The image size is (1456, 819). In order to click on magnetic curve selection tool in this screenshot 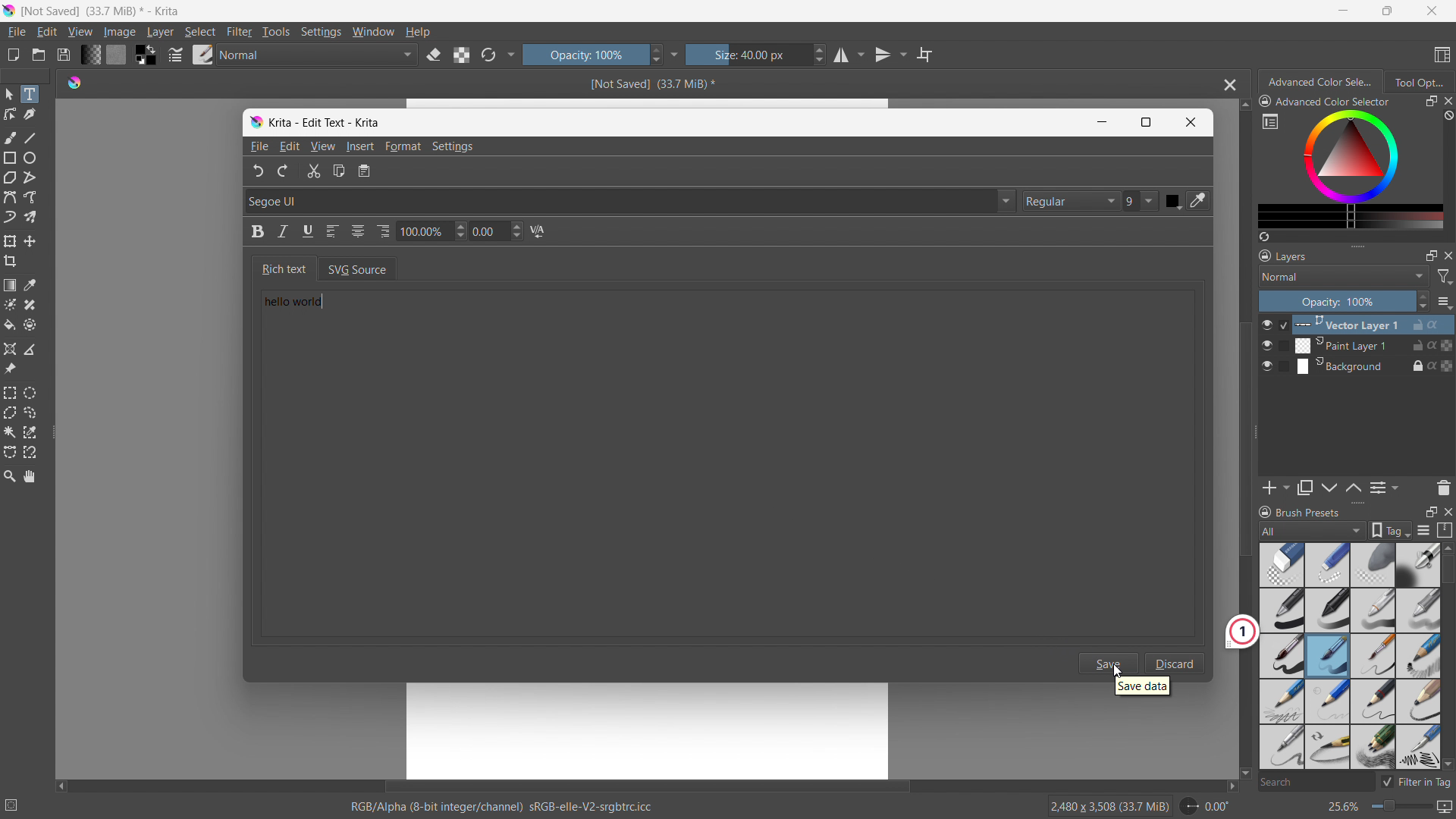, I will do `click(30, 453)`.